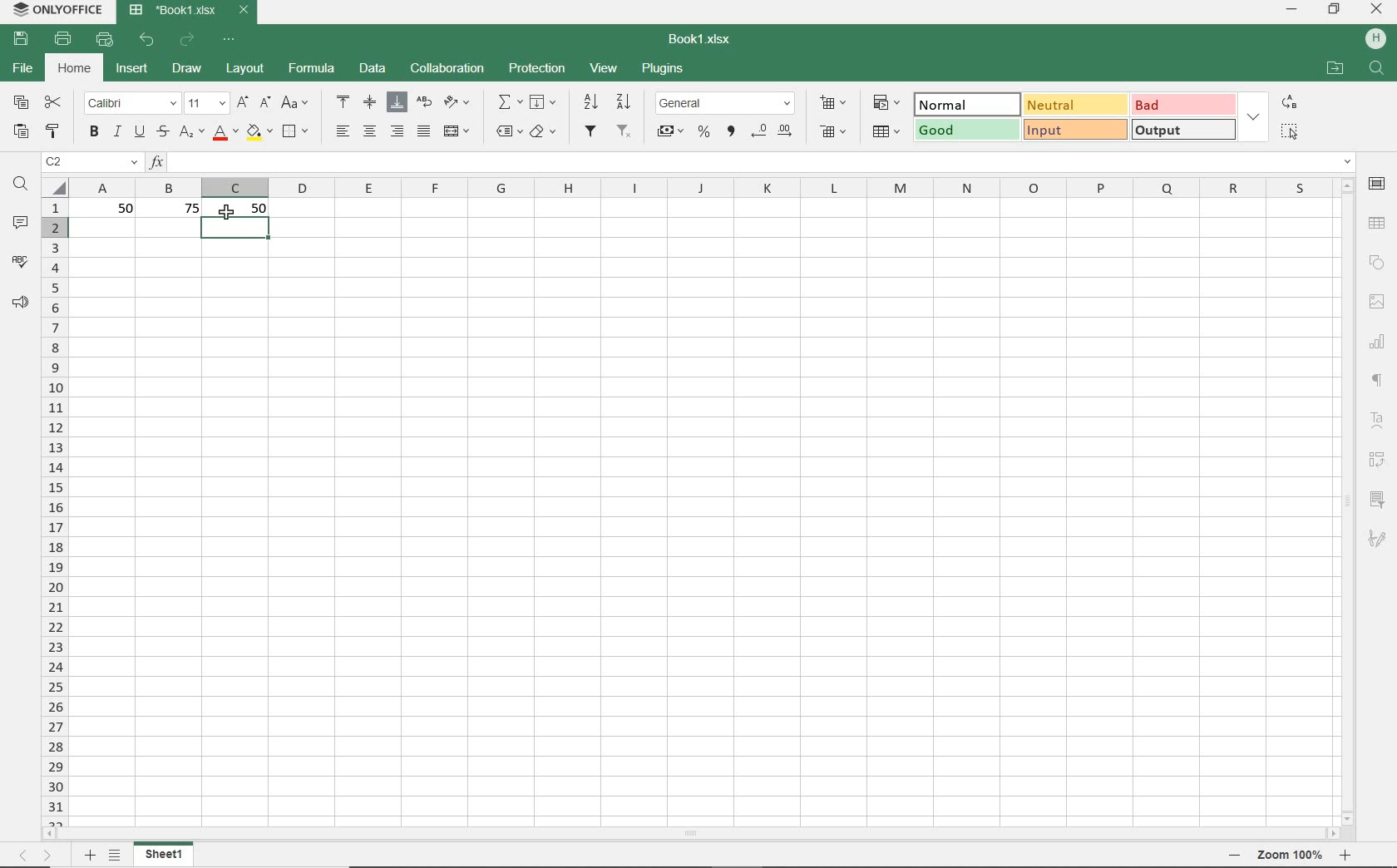 Image resolution: width=1397 pixels, height=868 pixels. What do you see at coordinates (20, 131) in the screenshot?
I see `paste` at bounding box center [20, 131].